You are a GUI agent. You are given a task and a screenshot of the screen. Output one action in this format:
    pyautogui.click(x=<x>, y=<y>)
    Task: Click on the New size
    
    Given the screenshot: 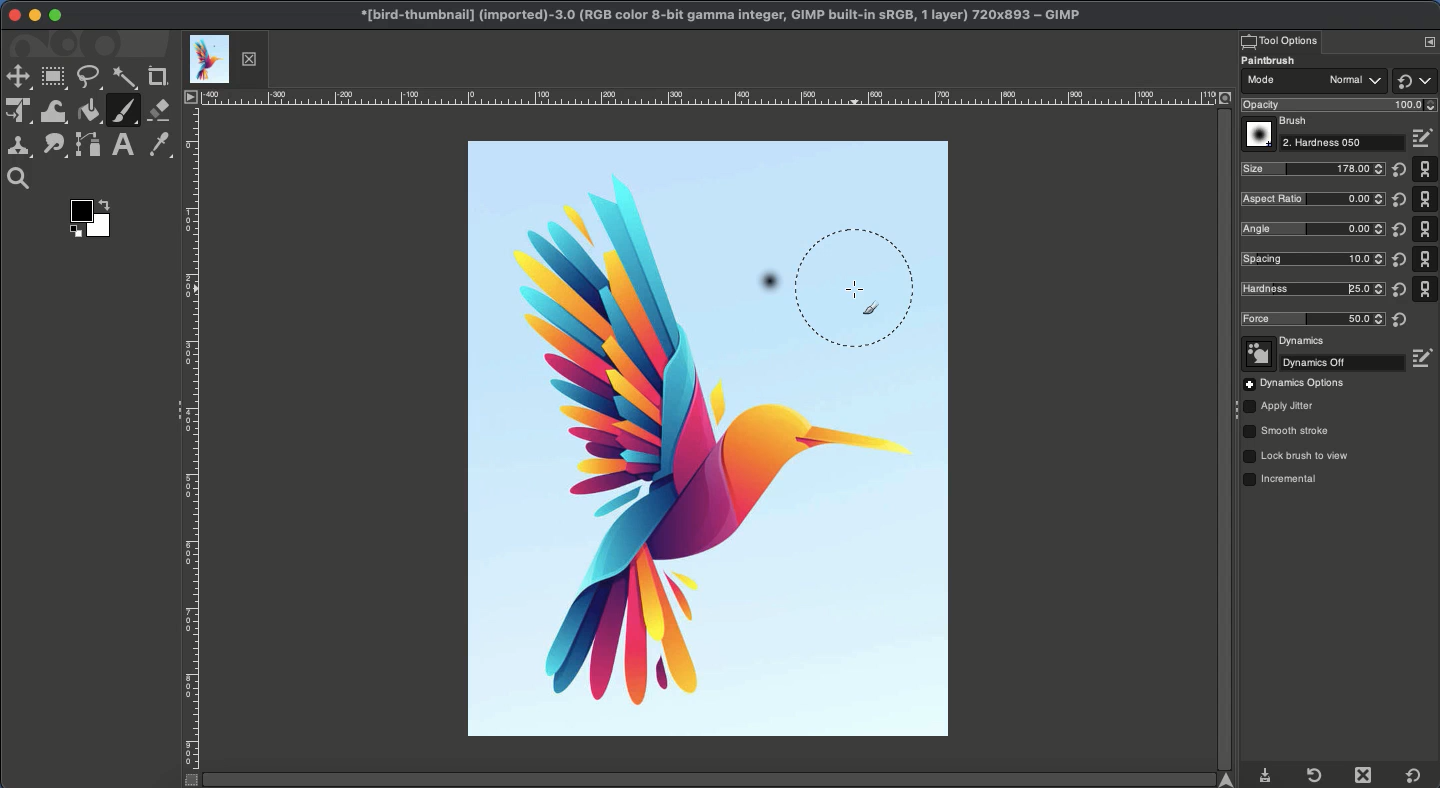 What is the action you would take?
    pyautogui.click(x=1314, y=170)
    